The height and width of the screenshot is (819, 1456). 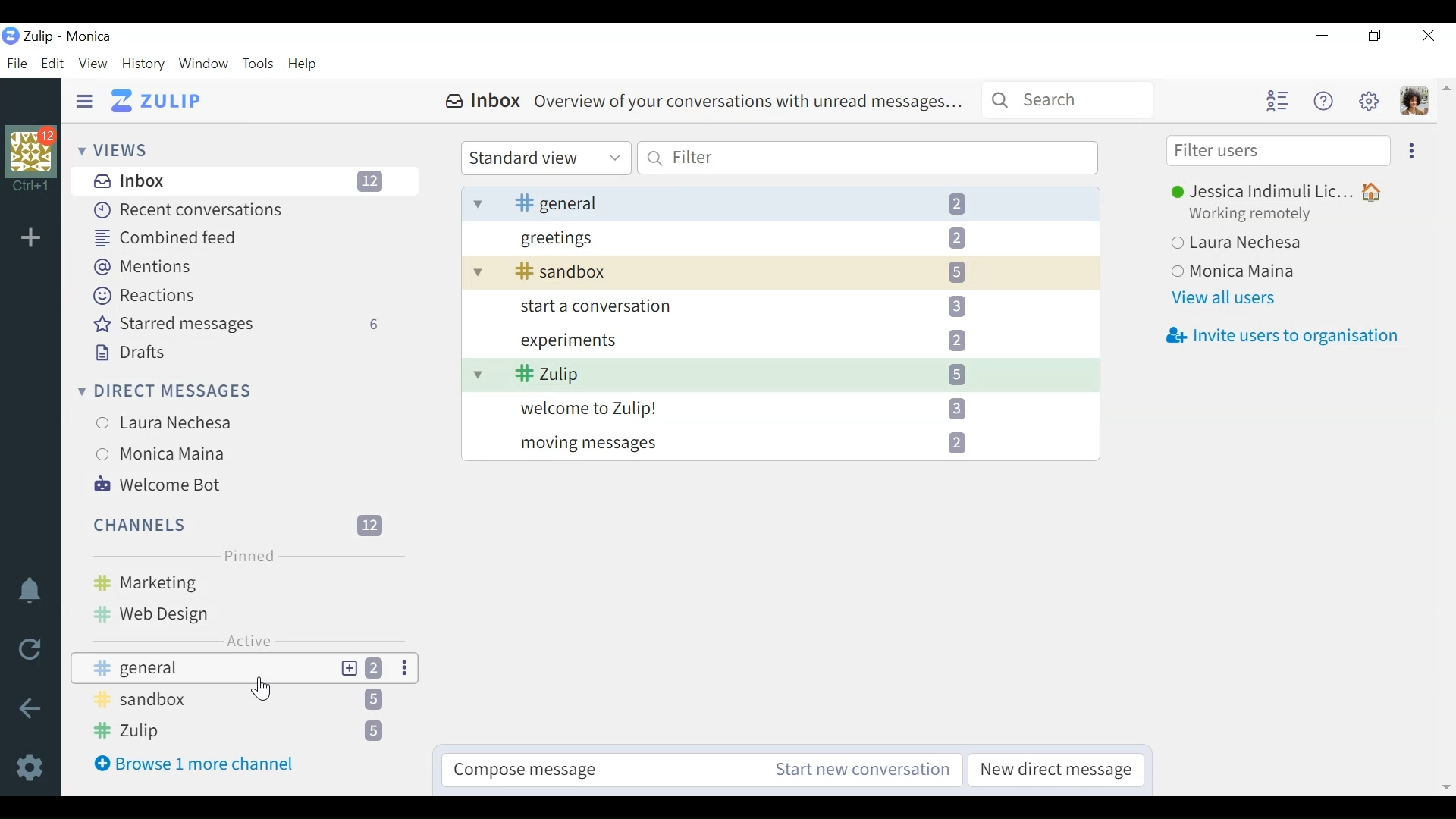 I want to click on Zulip 5, so click(x=780, y=375).